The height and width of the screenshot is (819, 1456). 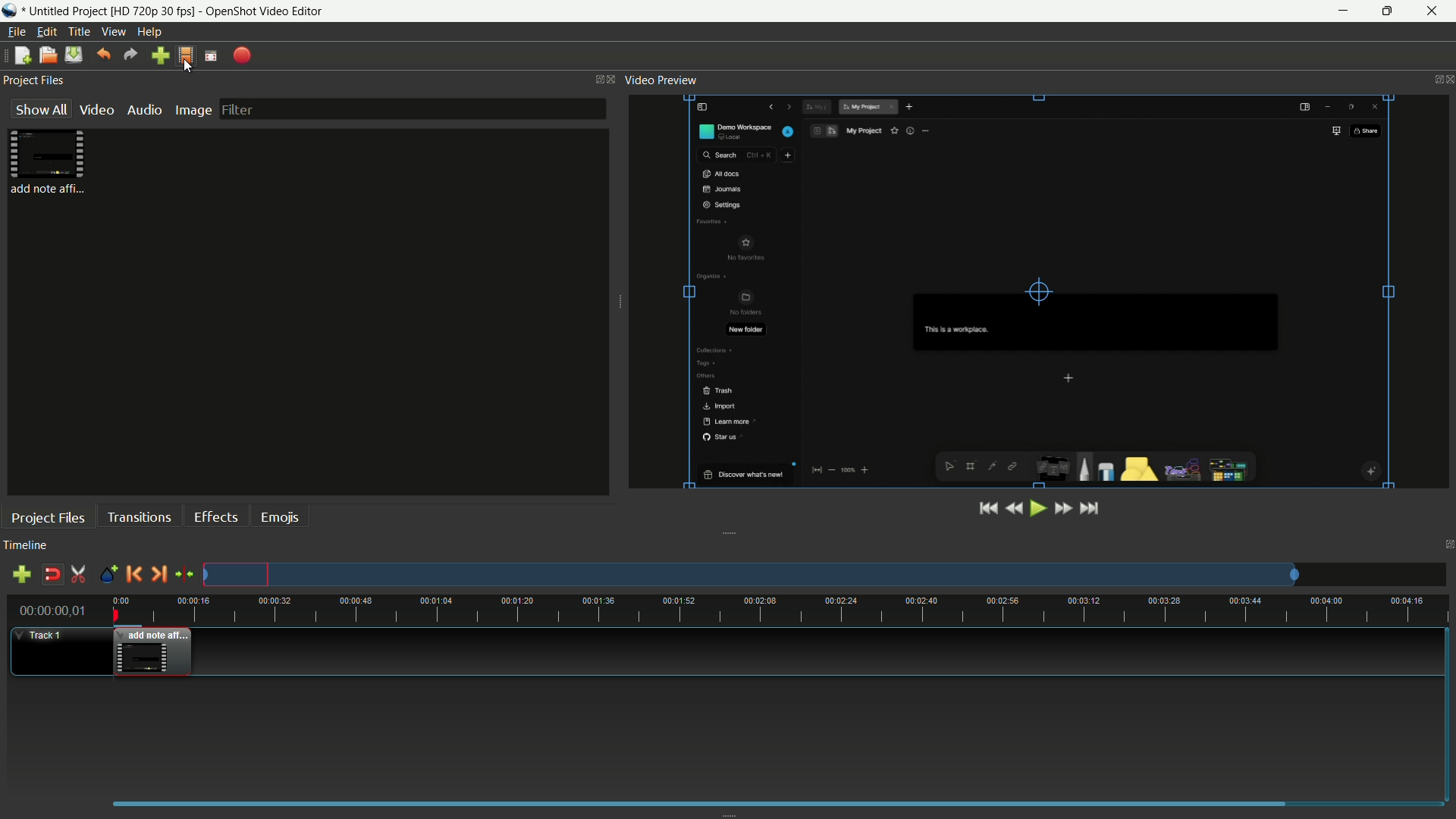 I want to click on jump to end, so click(x=1090, y=510).